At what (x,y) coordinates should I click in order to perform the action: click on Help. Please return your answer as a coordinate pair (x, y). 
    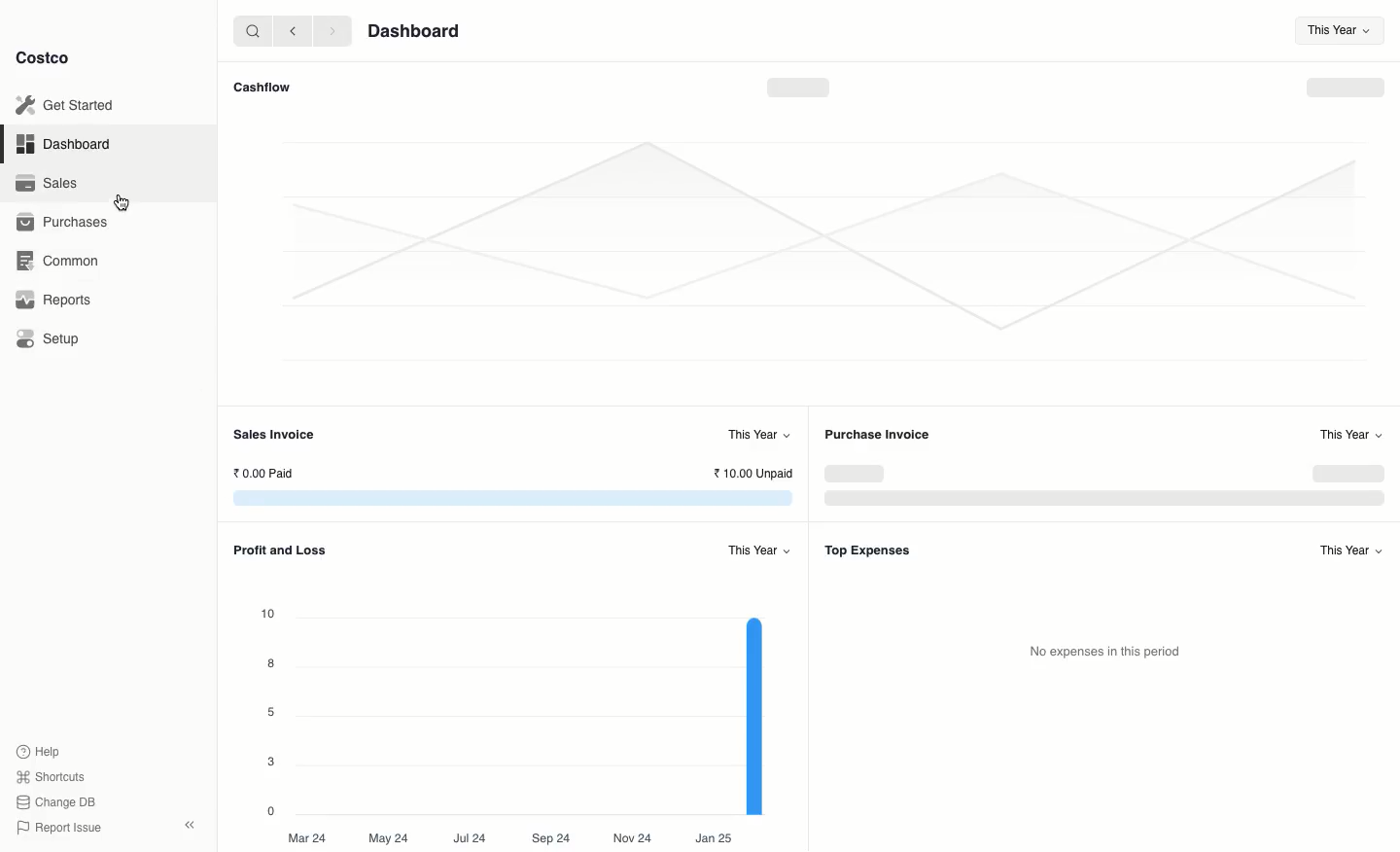
    Looking at the image, I should click on (42, 751).